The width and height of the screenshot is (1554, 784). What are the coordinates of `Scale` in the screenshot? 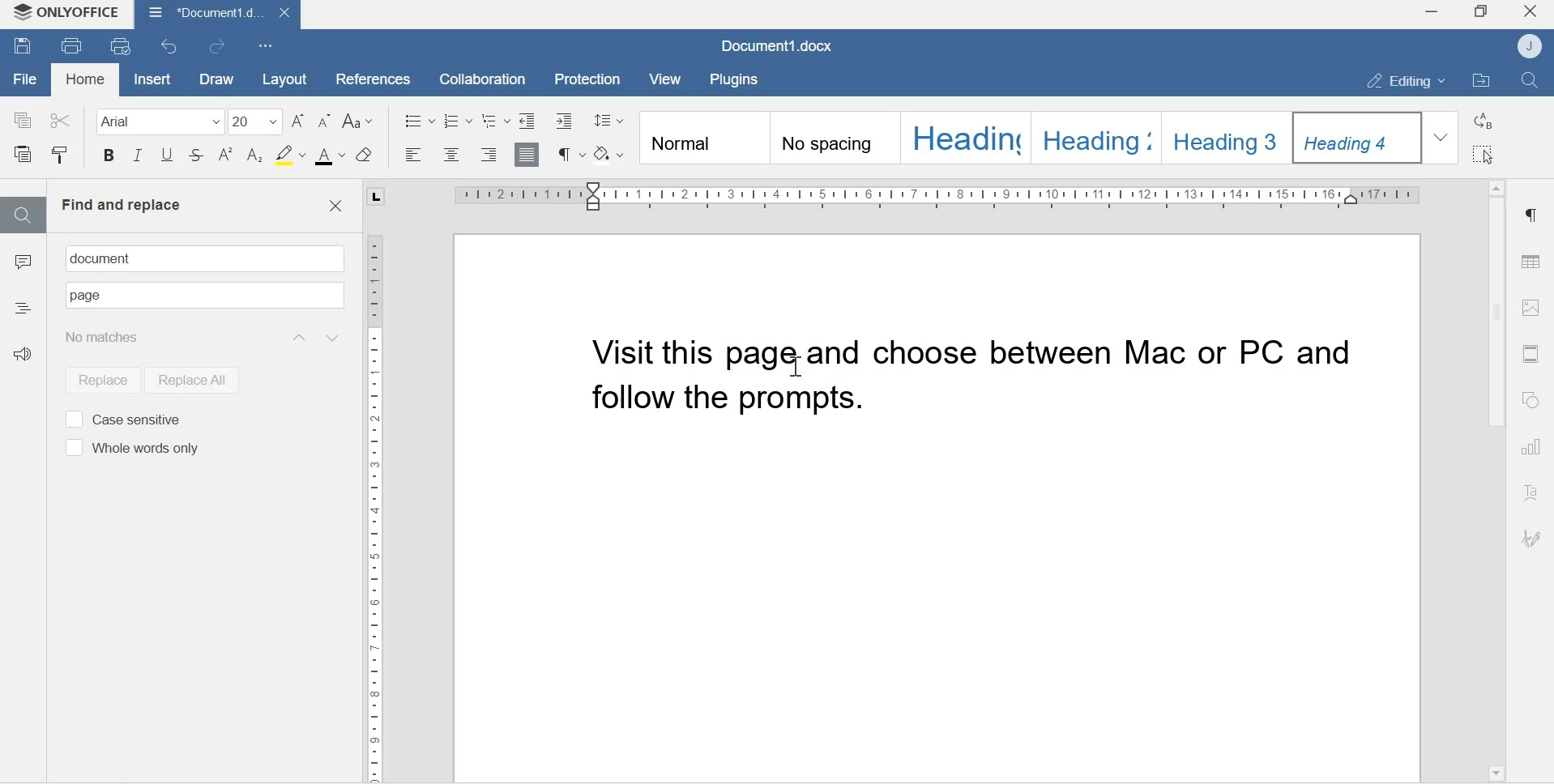 It's located at (937, 195).